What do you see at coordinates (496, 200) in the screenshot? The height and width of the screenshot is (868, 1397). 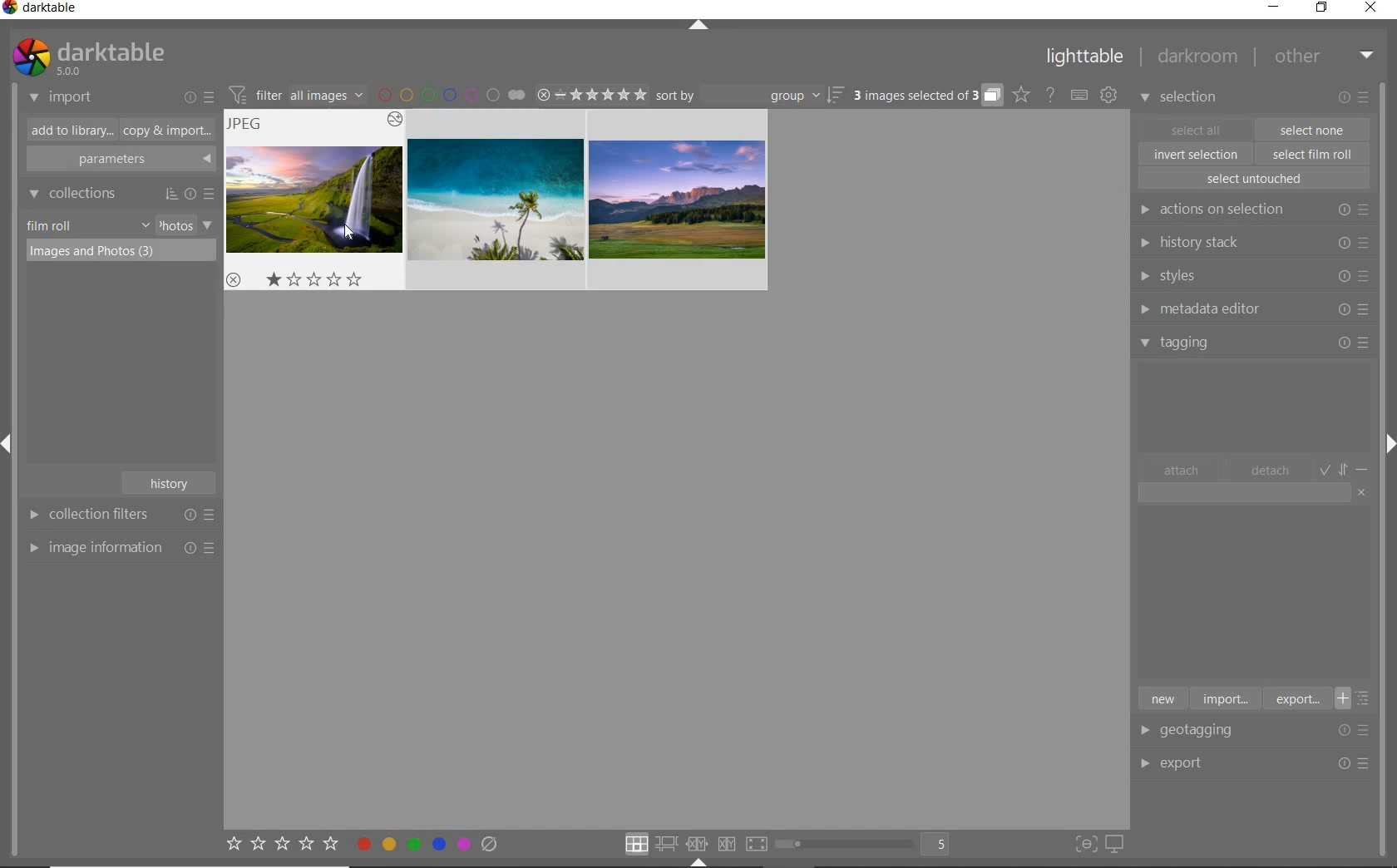 I see `images` at bounding box center [496, 200].